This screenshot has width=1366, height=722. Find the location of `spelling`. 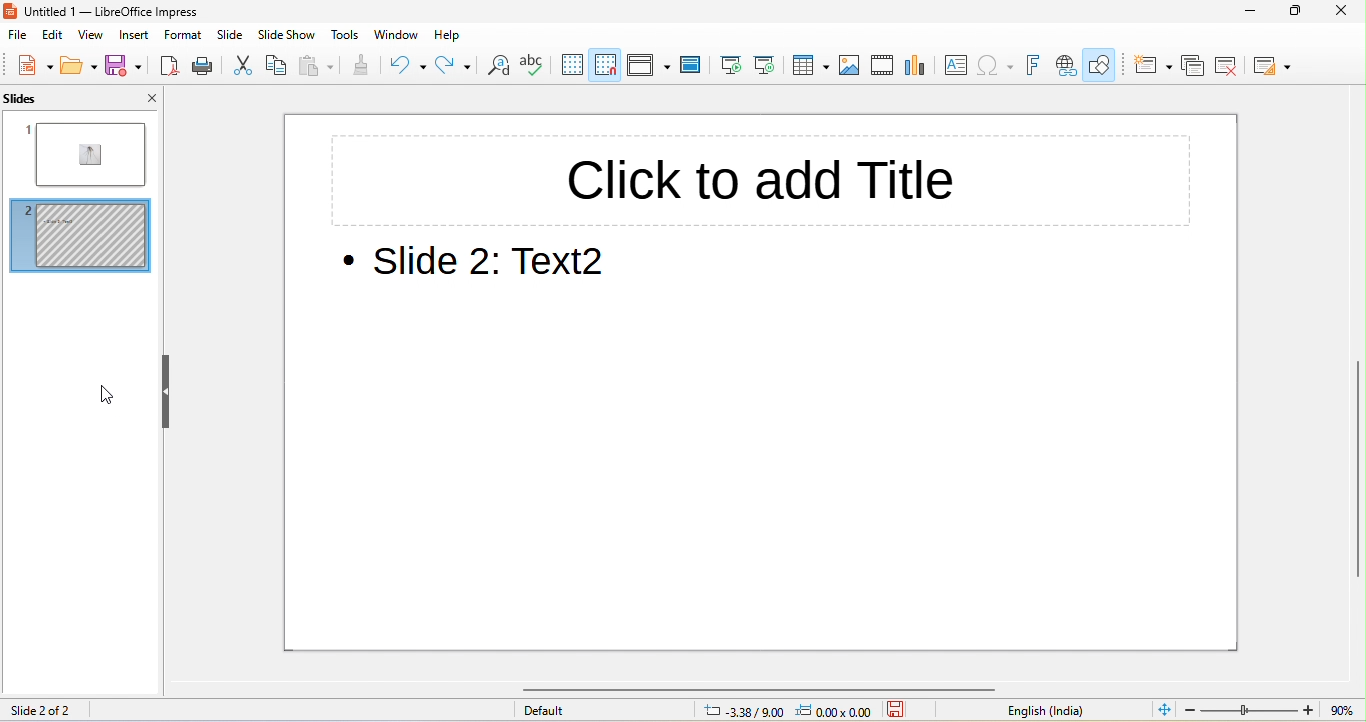

spelling is located at coordinates (539, 67).